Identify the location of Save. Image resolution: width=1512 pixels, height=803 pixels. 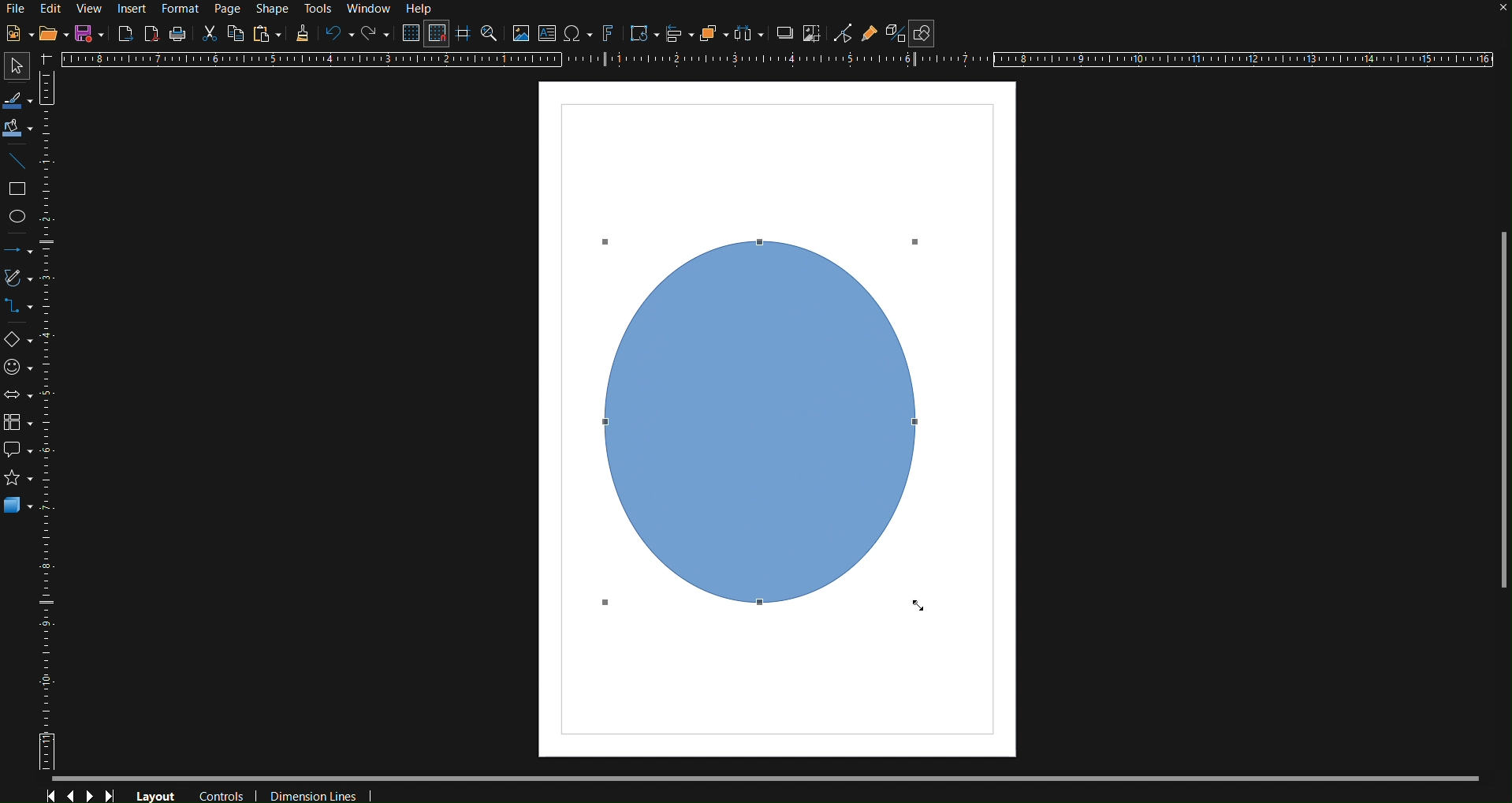
(91, 34).